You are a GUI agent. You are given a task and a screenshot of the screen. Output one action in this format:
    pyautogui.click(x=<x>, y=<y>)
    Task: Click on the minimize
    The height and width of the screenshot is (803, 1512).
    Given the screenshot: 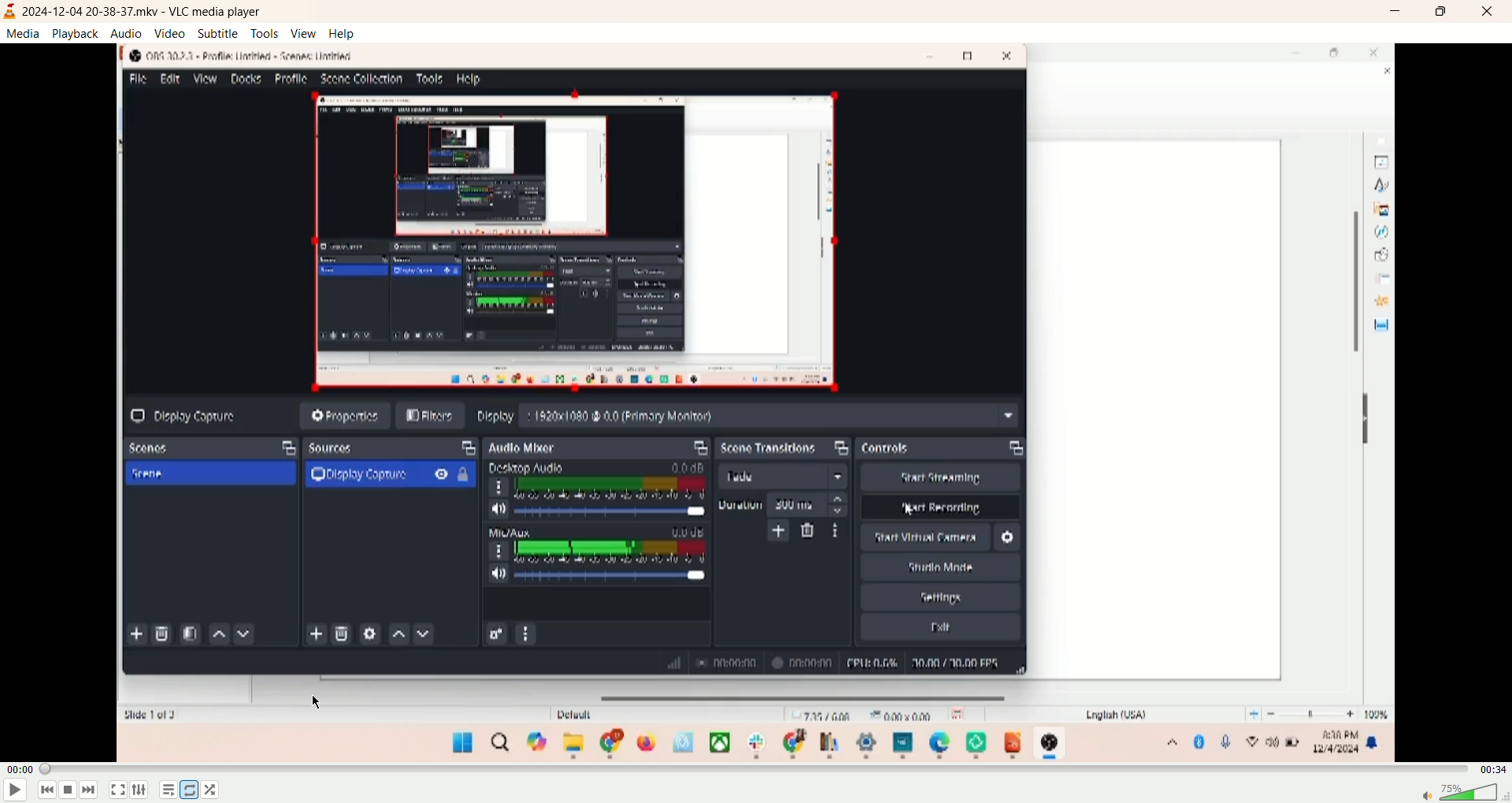 What is the action you would take?
    pyautogui.click(x=1398, y=10)
    